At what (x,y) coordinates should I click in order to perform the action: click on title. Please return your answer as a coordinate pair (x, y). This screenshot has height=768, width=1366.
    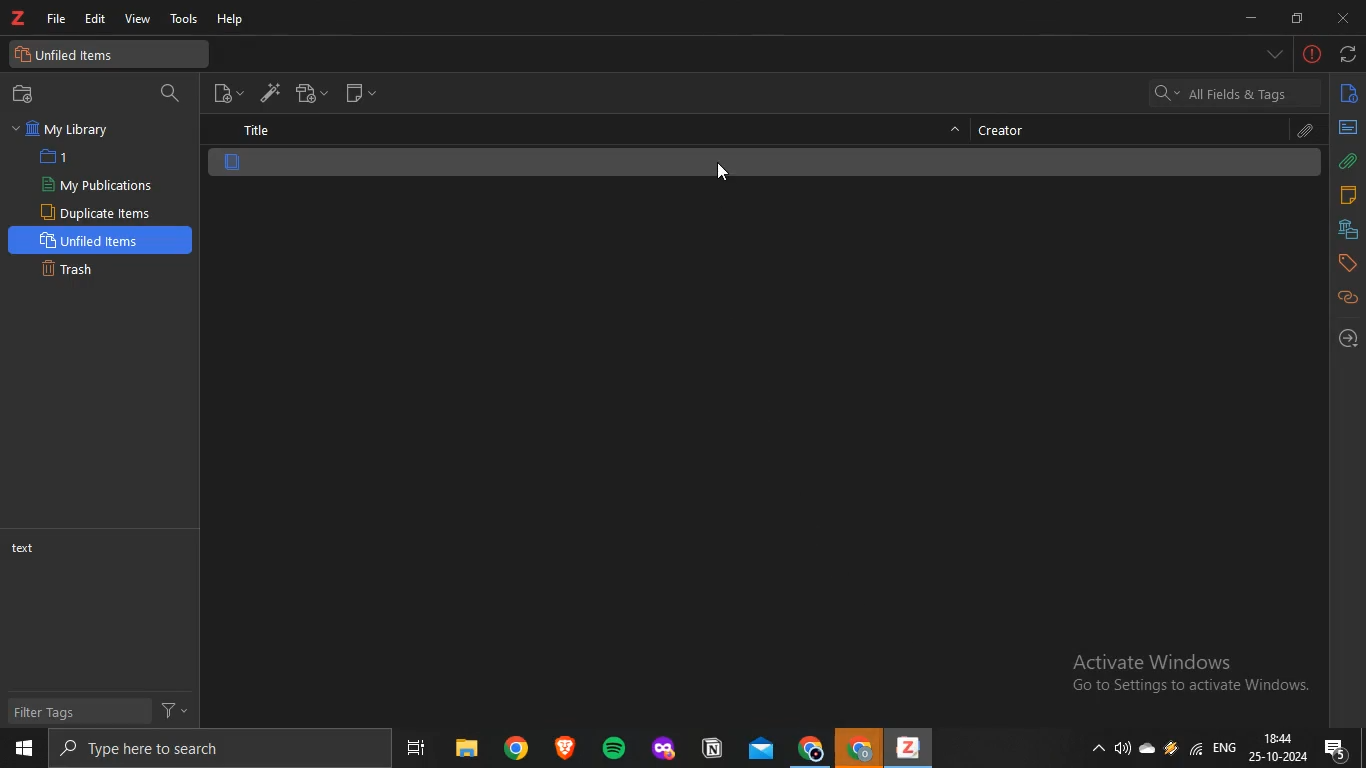
    Looking at the image, I should click on (315, 129).